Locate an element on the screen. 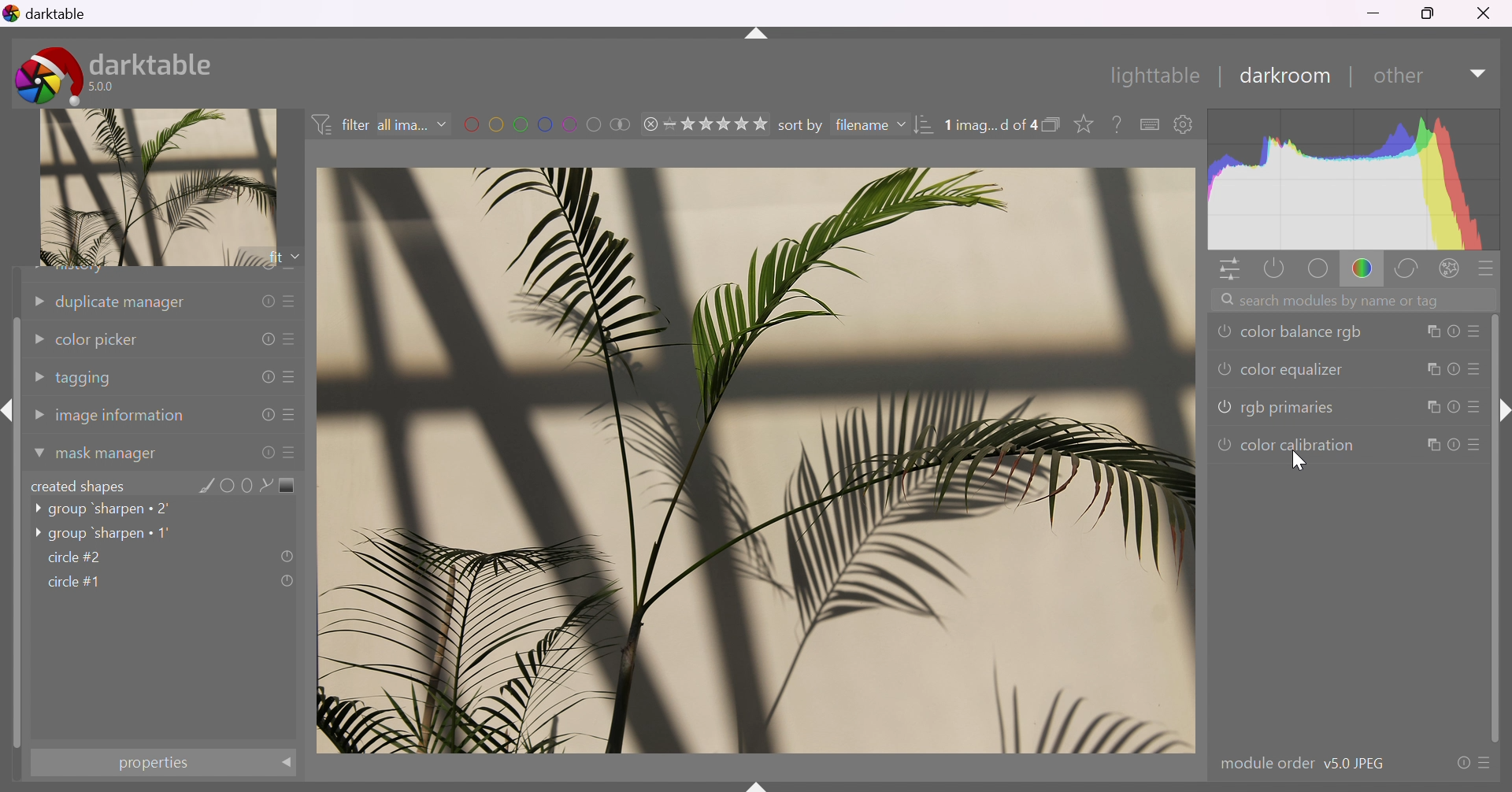 This screenshot has height=792, width=1512. other is located at coordinates (1435, 76).